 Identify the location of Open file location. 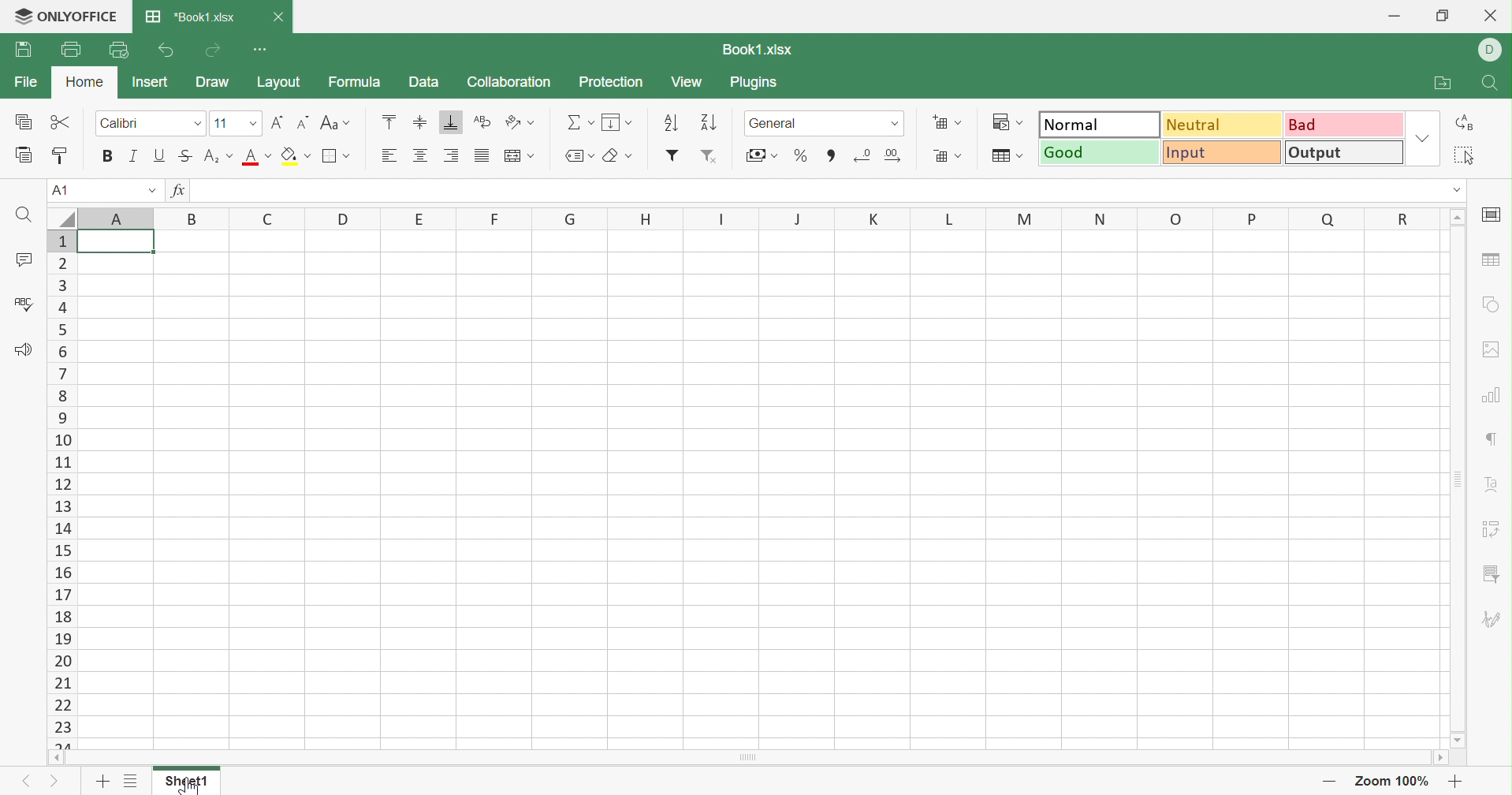
(1444, 81).